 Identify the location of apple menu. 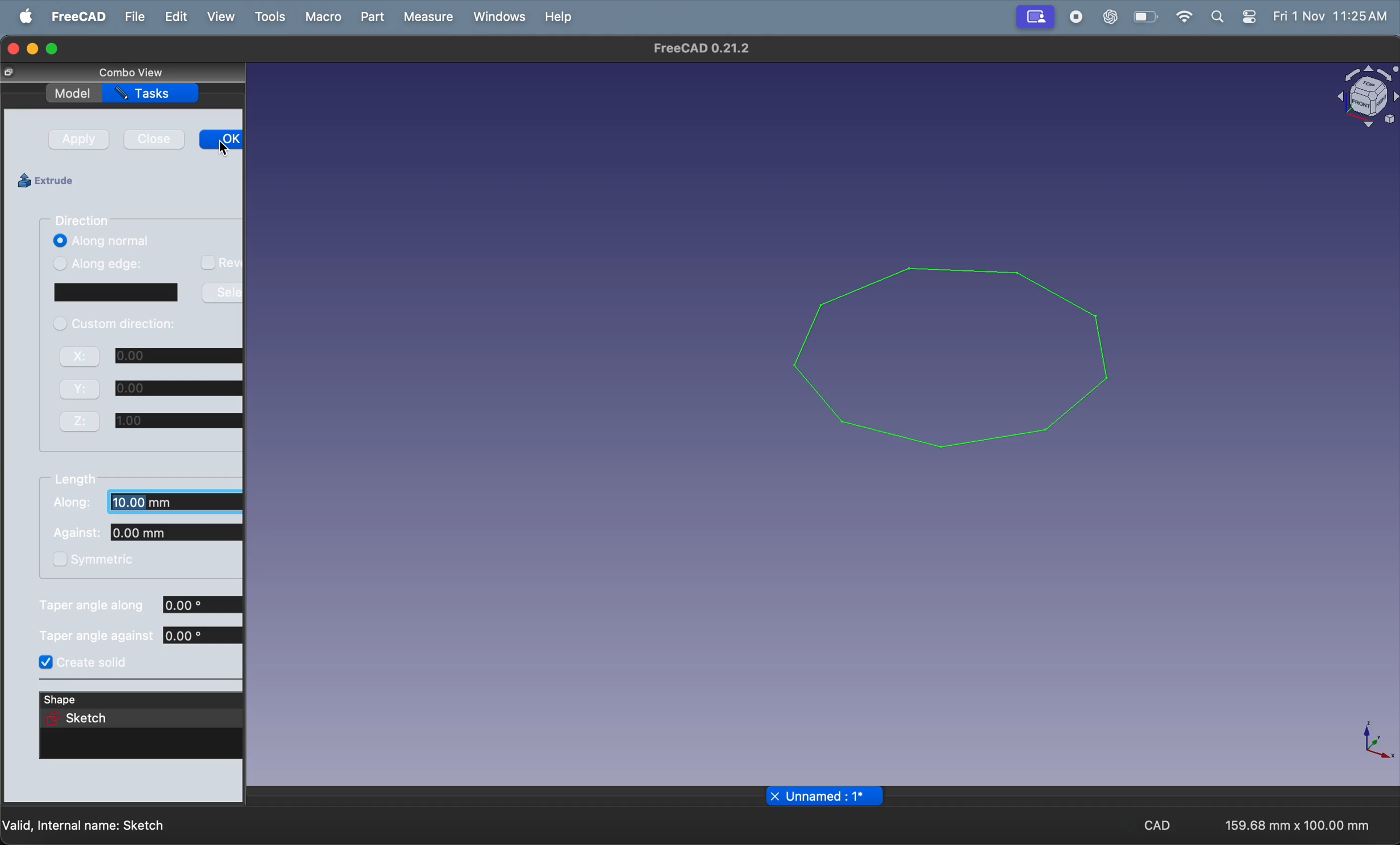
(22, 16).